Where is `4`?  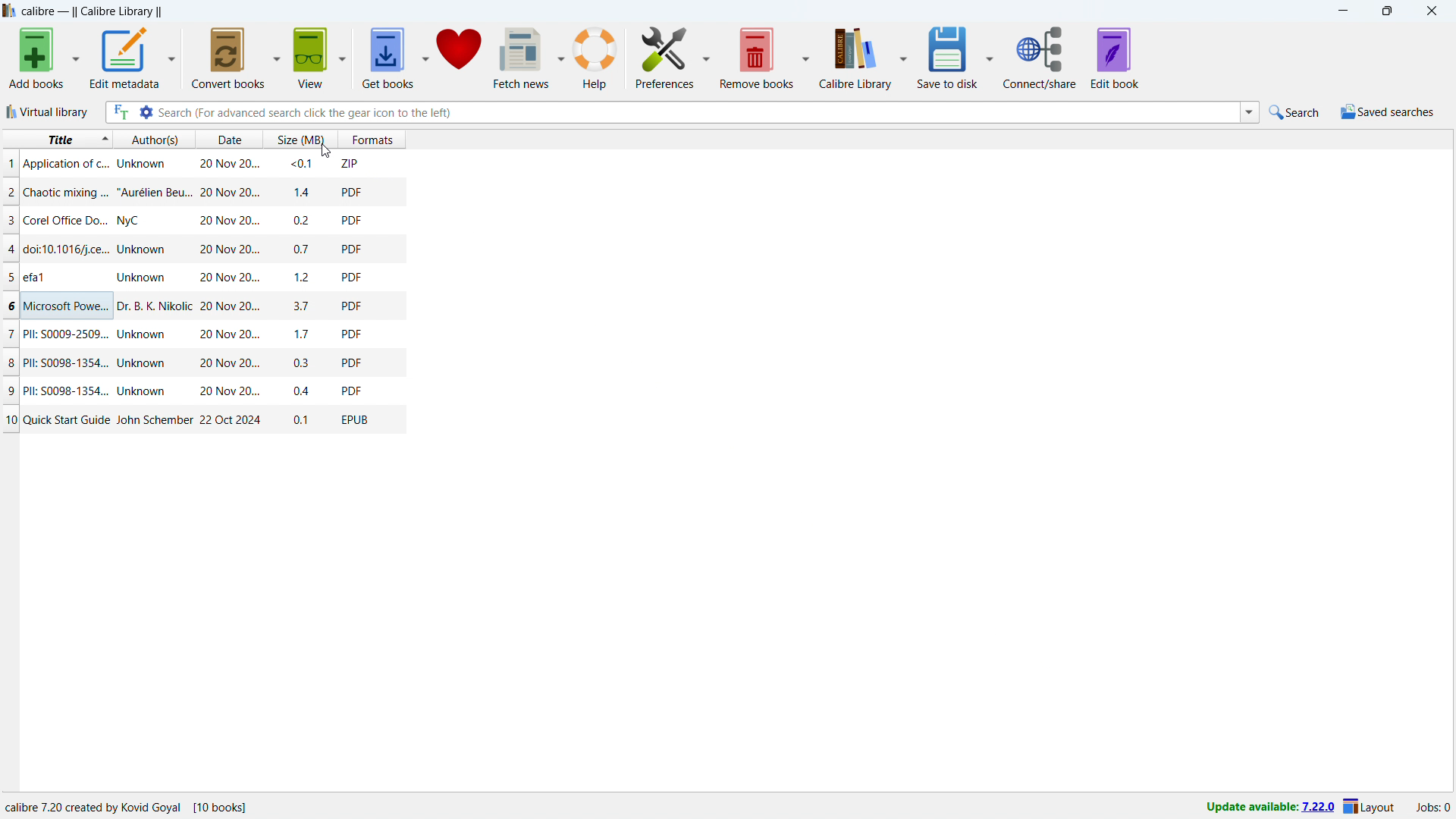
4 is located at coordinates (10, 248).